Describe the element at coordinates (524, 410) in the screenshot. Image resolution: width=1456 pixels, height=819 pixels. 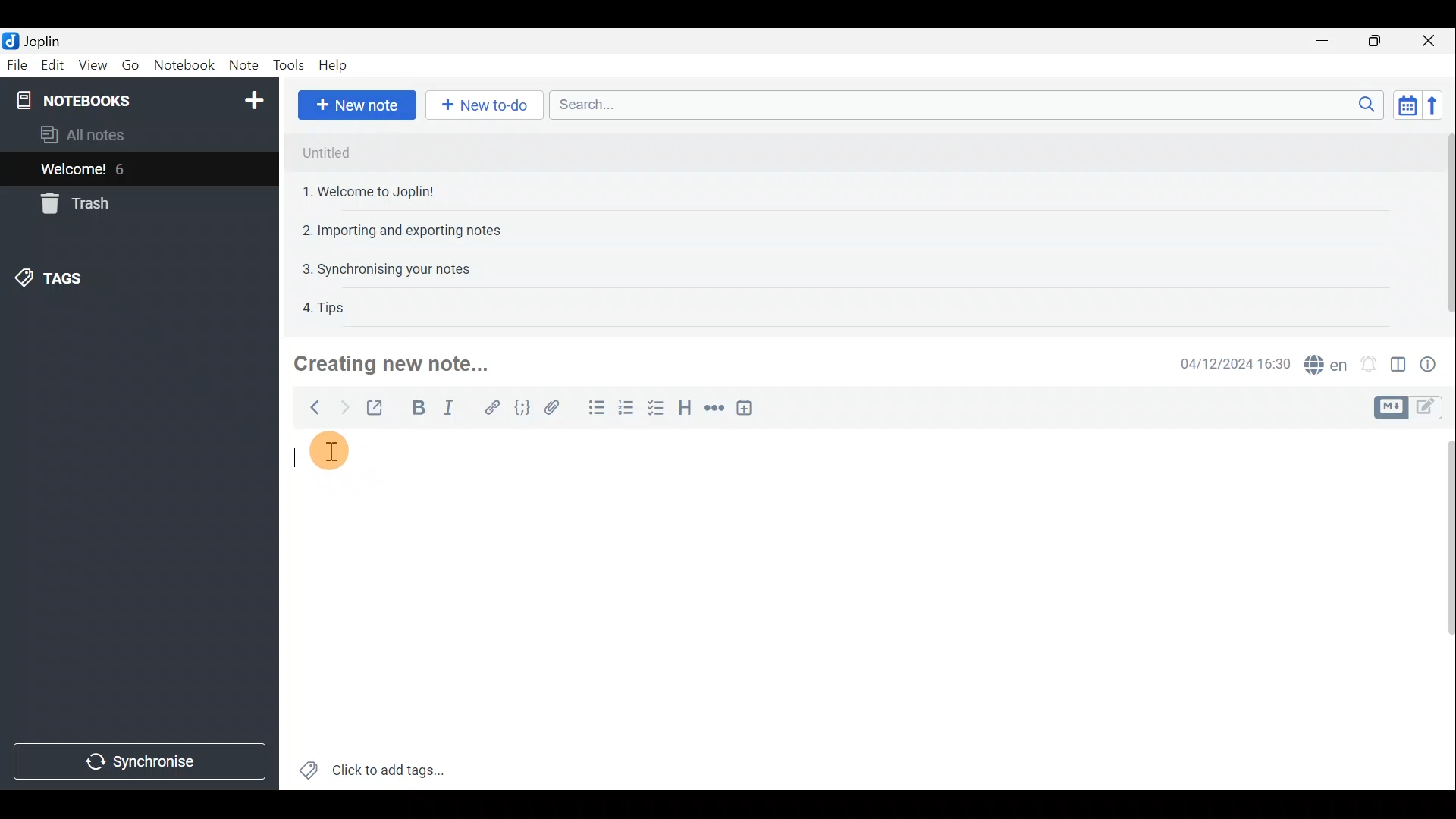
I see `Code` at that location.